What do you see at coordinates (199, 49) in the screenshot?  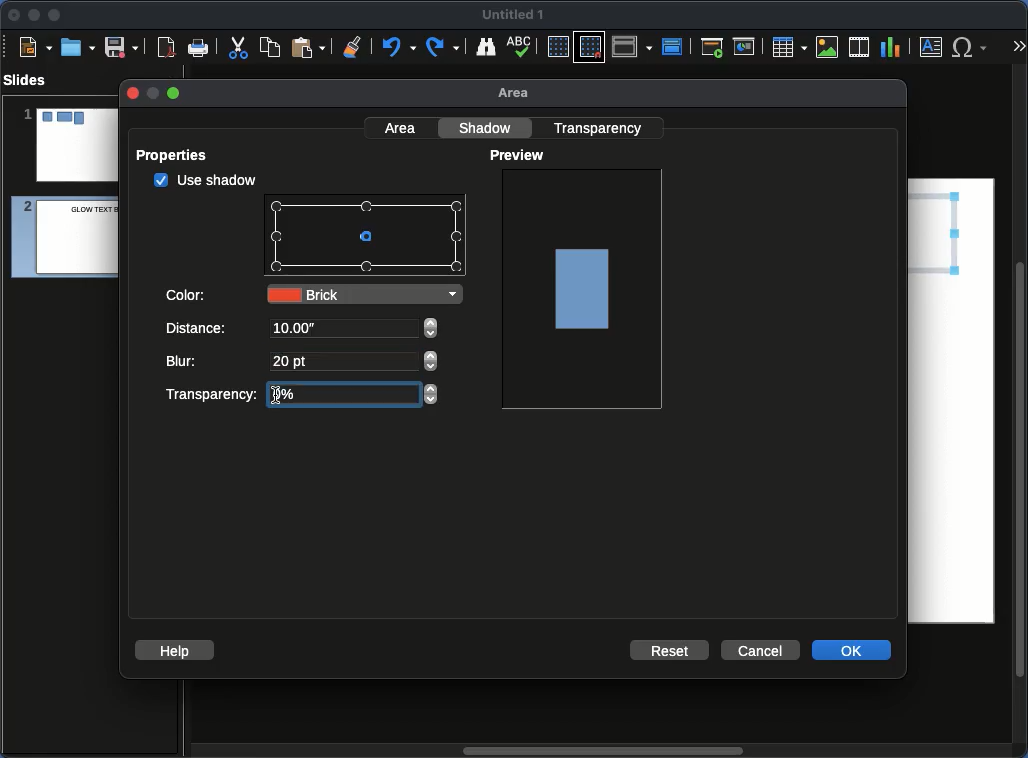 I see `Print` at bounding box center [199, 49].